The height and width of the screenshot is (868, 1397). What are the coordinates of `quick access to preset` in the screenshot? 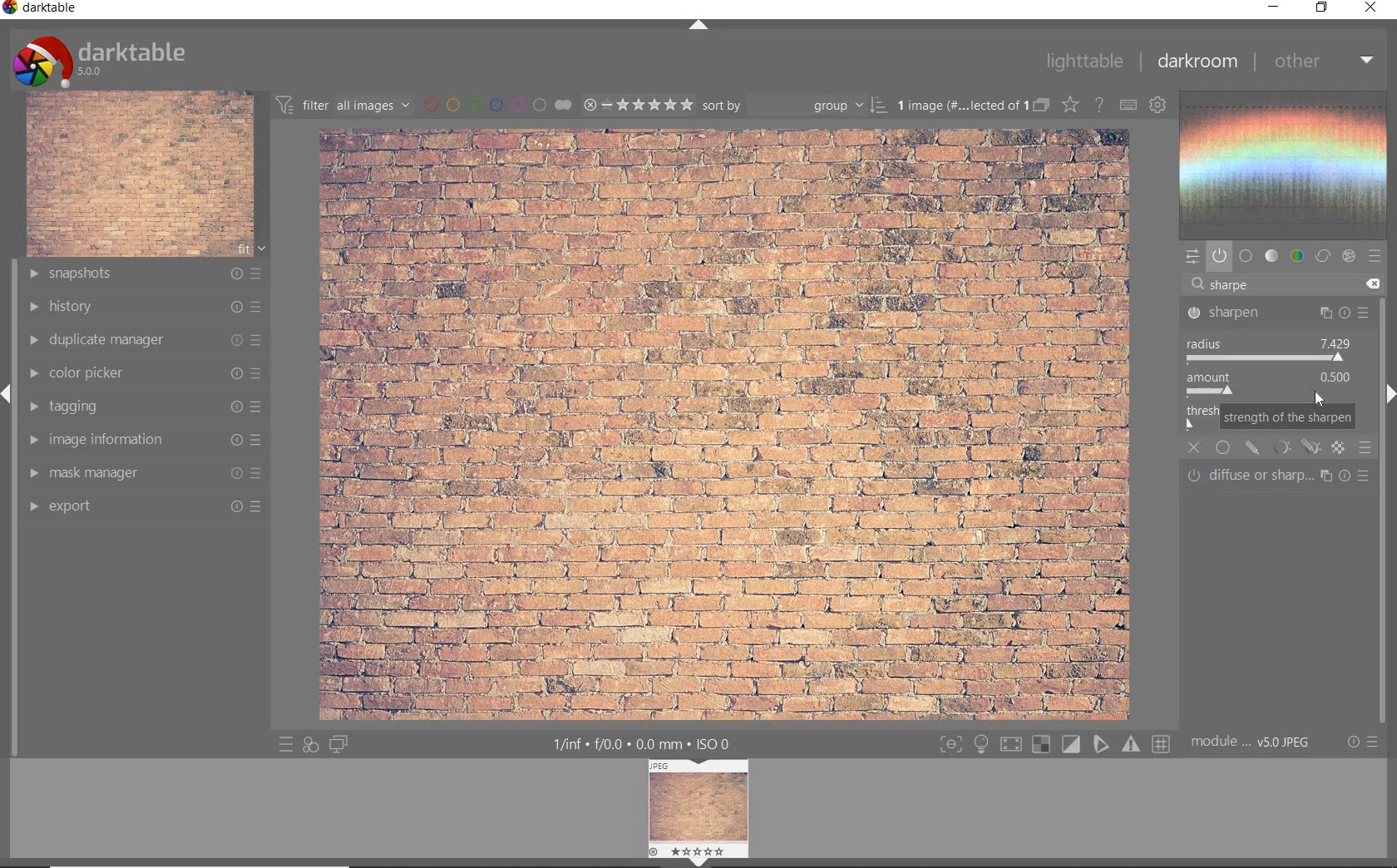 It's located at (283, 744).